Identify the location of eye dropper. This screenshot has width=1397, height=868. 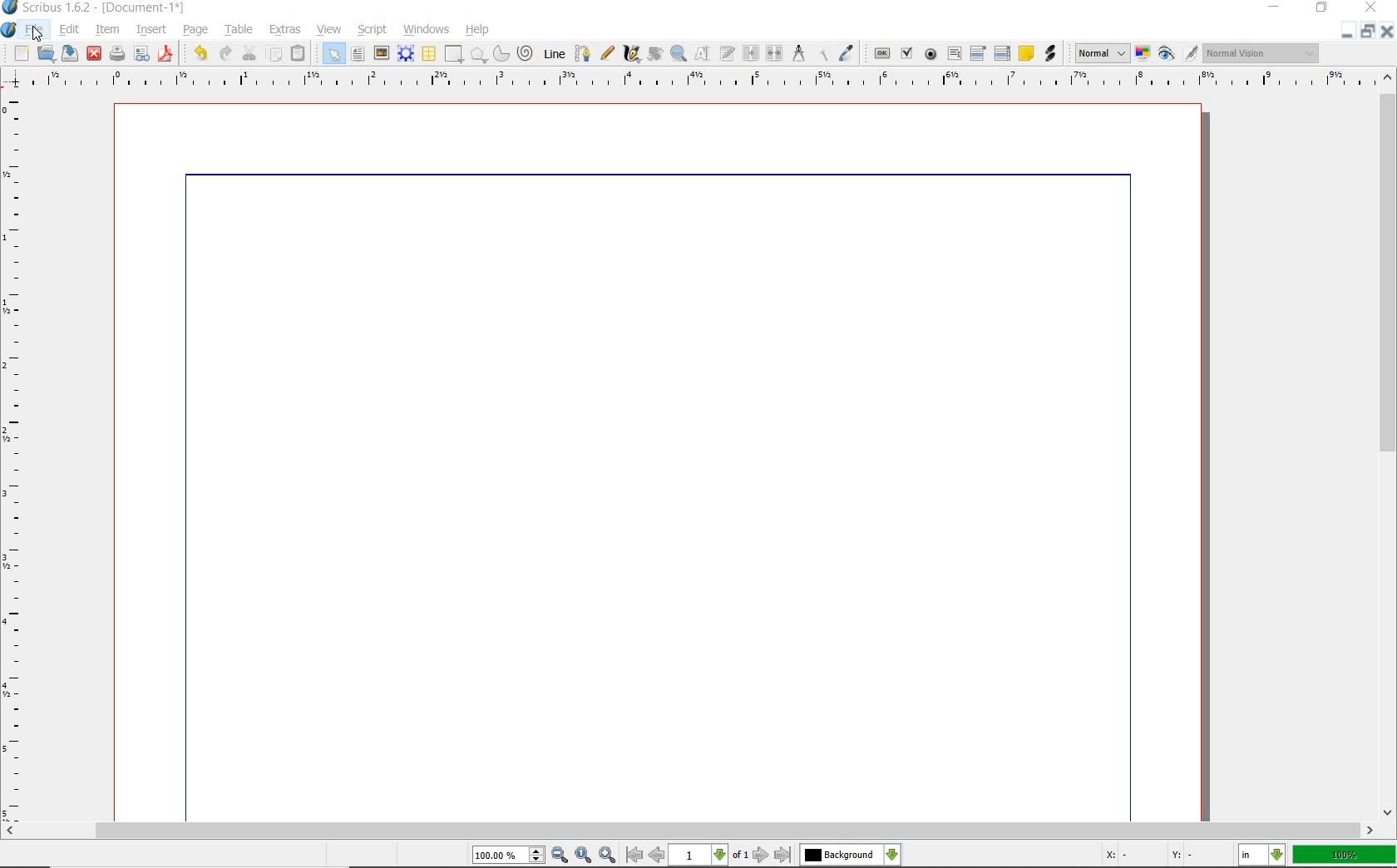
(847, 52).